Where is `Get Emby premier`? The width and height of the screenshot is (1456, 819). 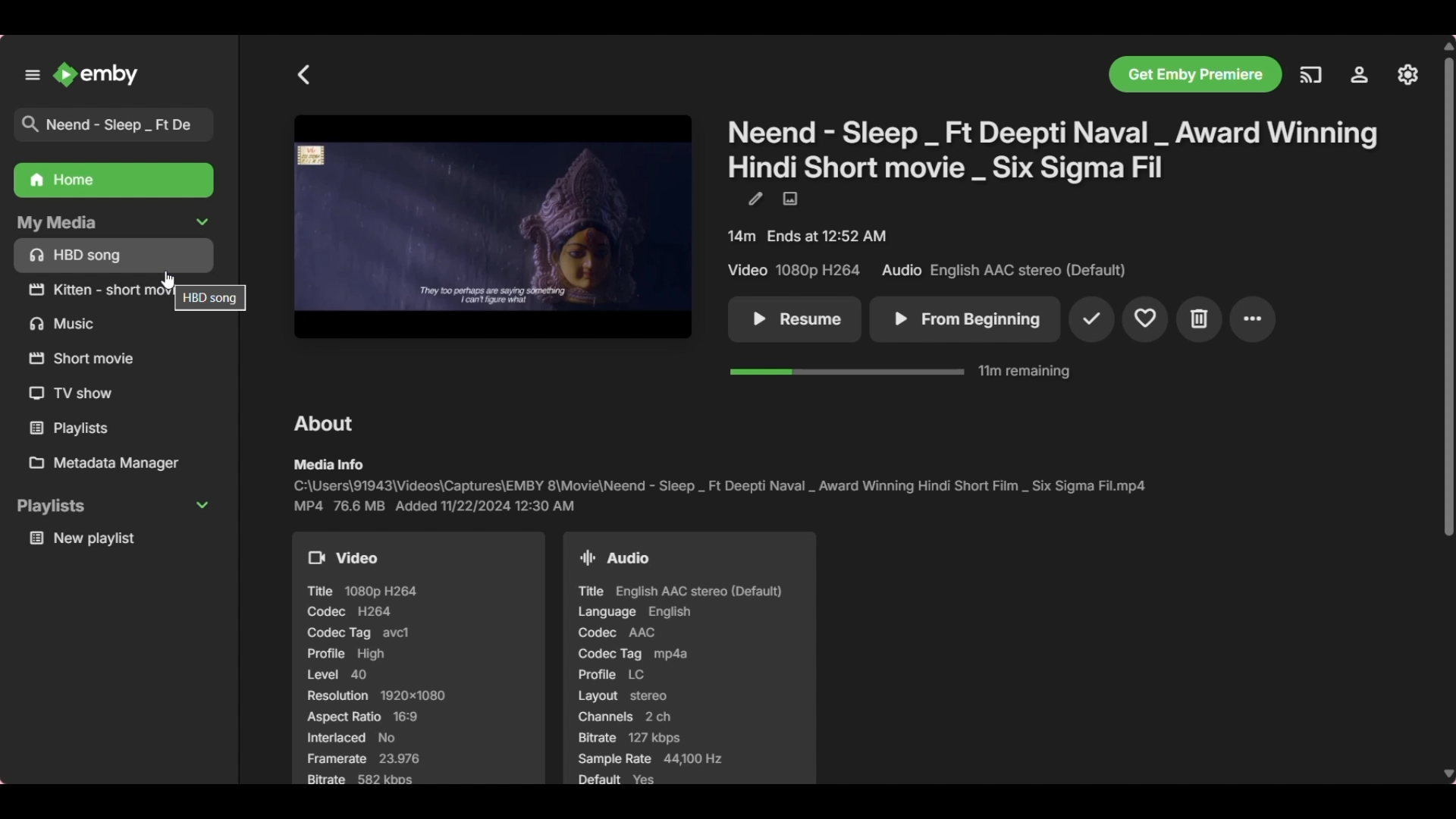
Get Emby premier is located at coordinates (1197, 74).